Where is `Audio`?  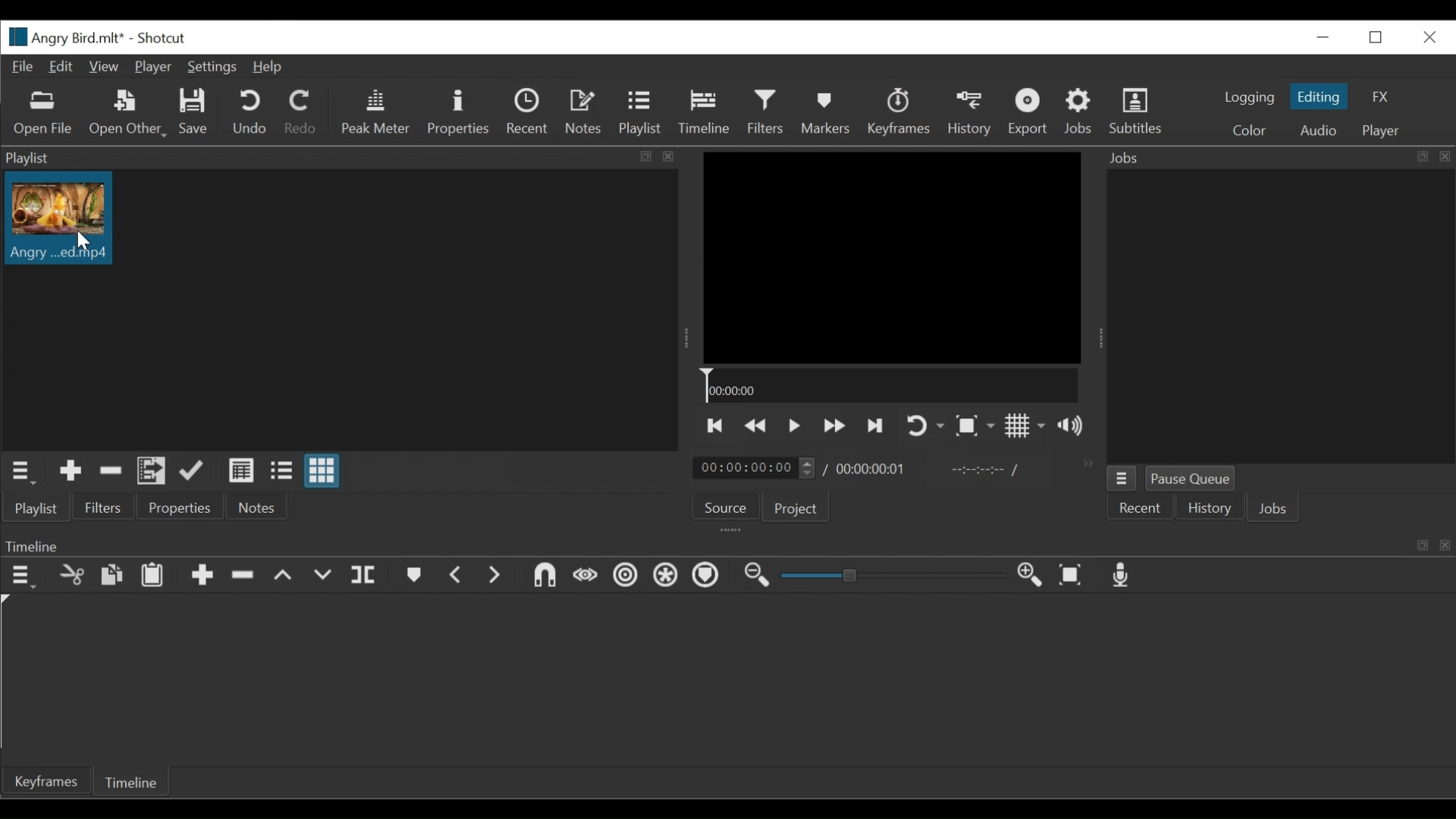 Audio is located at coordinates (1317, 130).